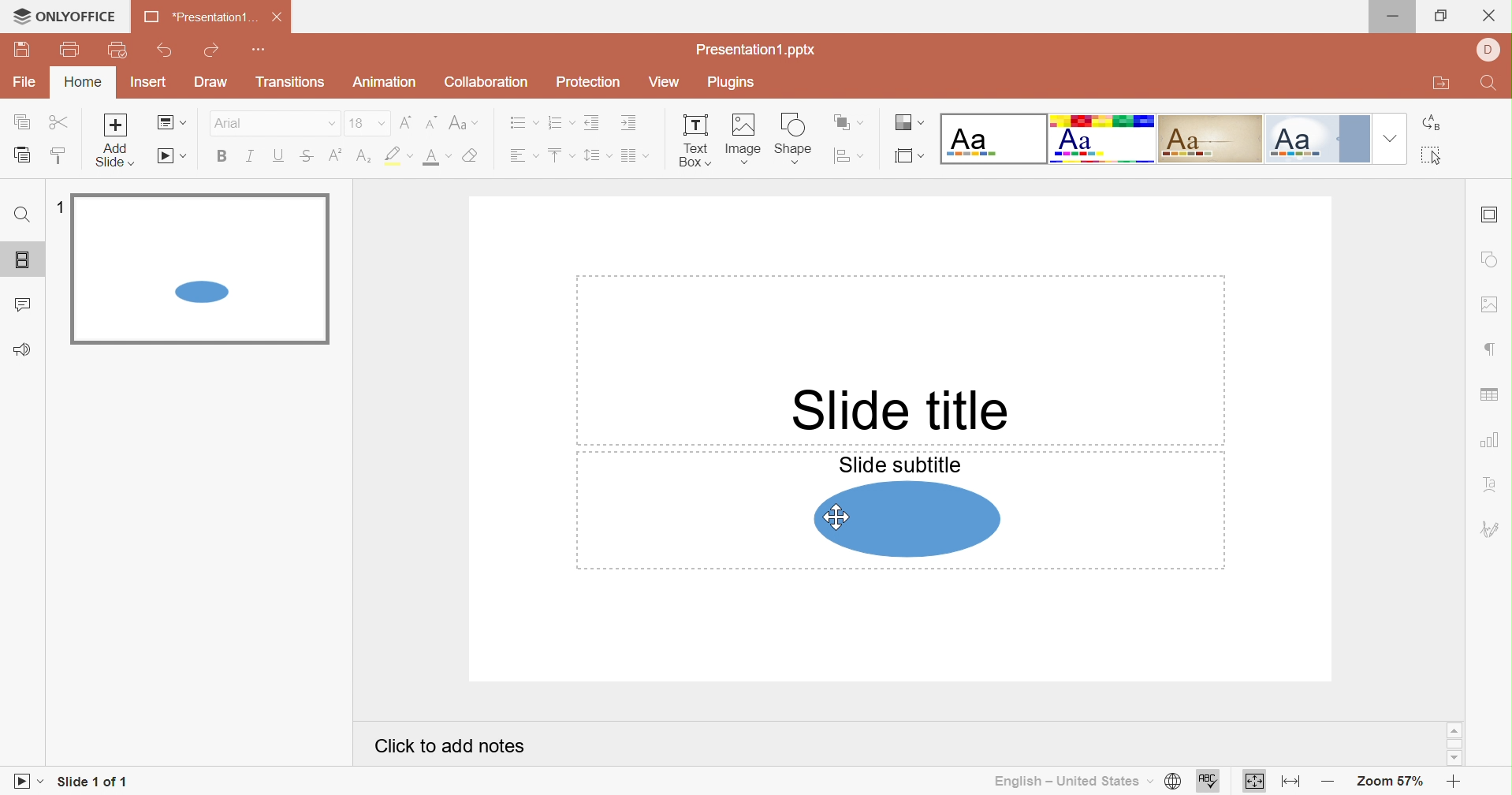 The height and width of the screenshot is (795, 1512). Describe the element at coordinates (902, 412) in the screenshot. I see `Slide title` at that location.